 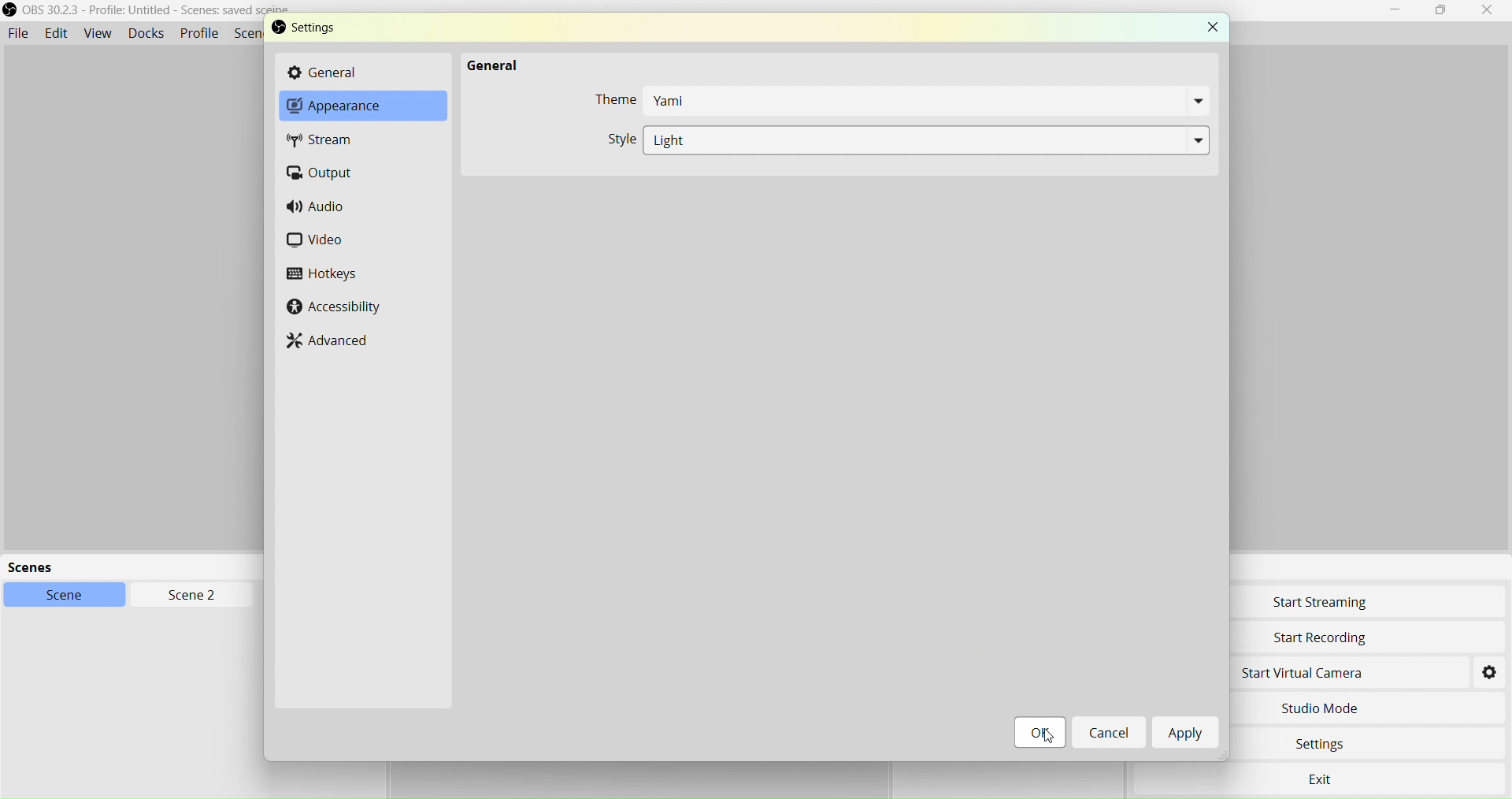 I want to click on General, so click(x=356, y=72).